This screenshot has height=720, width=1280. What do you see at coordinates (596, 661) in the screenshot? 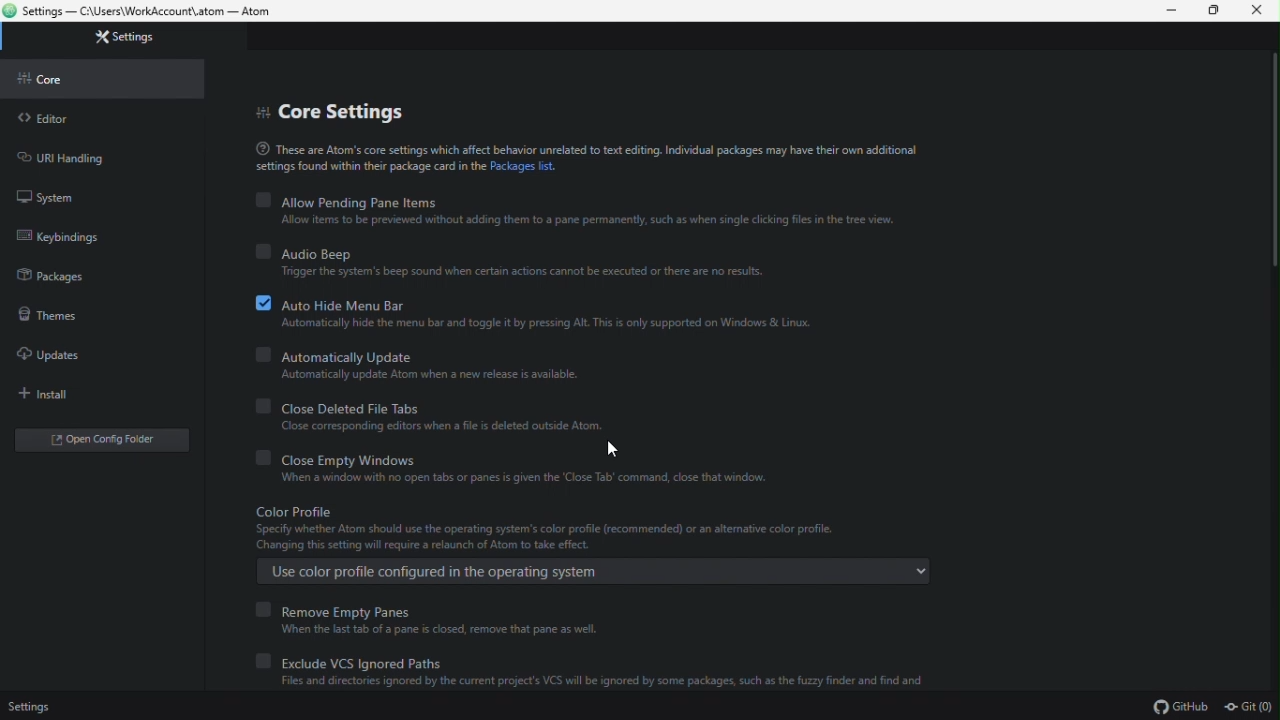
I see `exclude vcs ignored paths` at bounding box center [596, 661].